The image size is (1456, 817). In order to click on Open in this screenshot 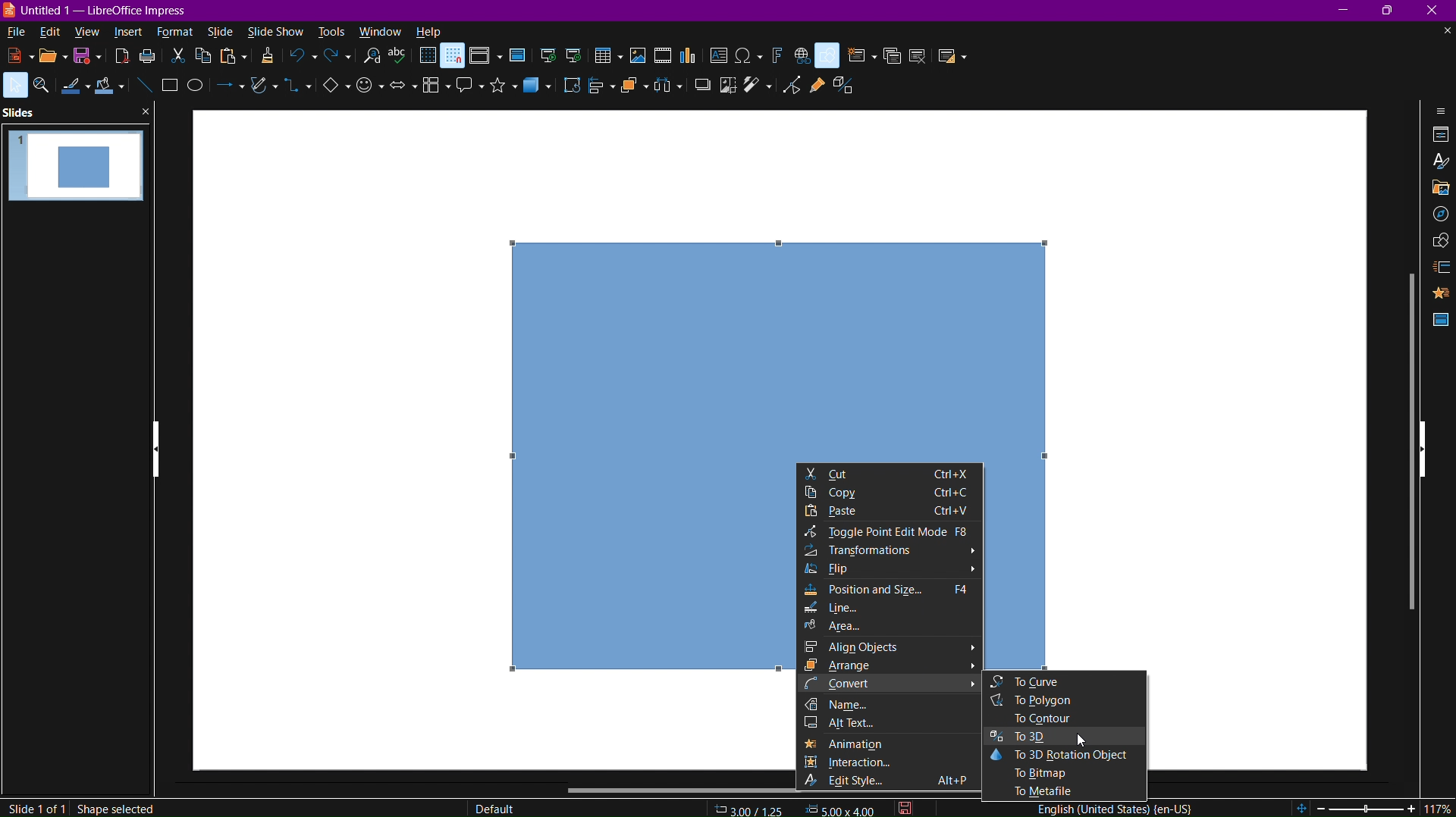, I will do `click(49, 57)`.